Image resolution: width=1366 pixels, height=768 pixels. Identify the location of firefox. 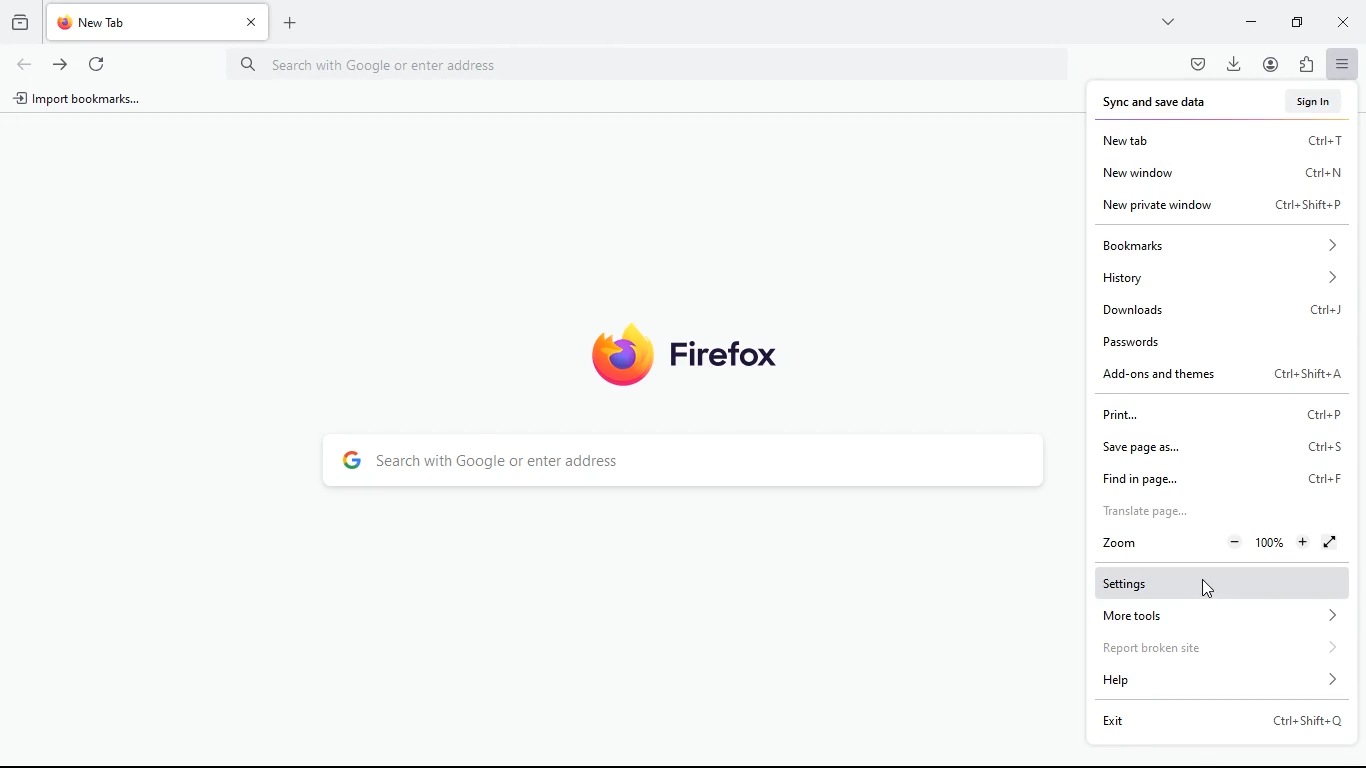
(691, 357).